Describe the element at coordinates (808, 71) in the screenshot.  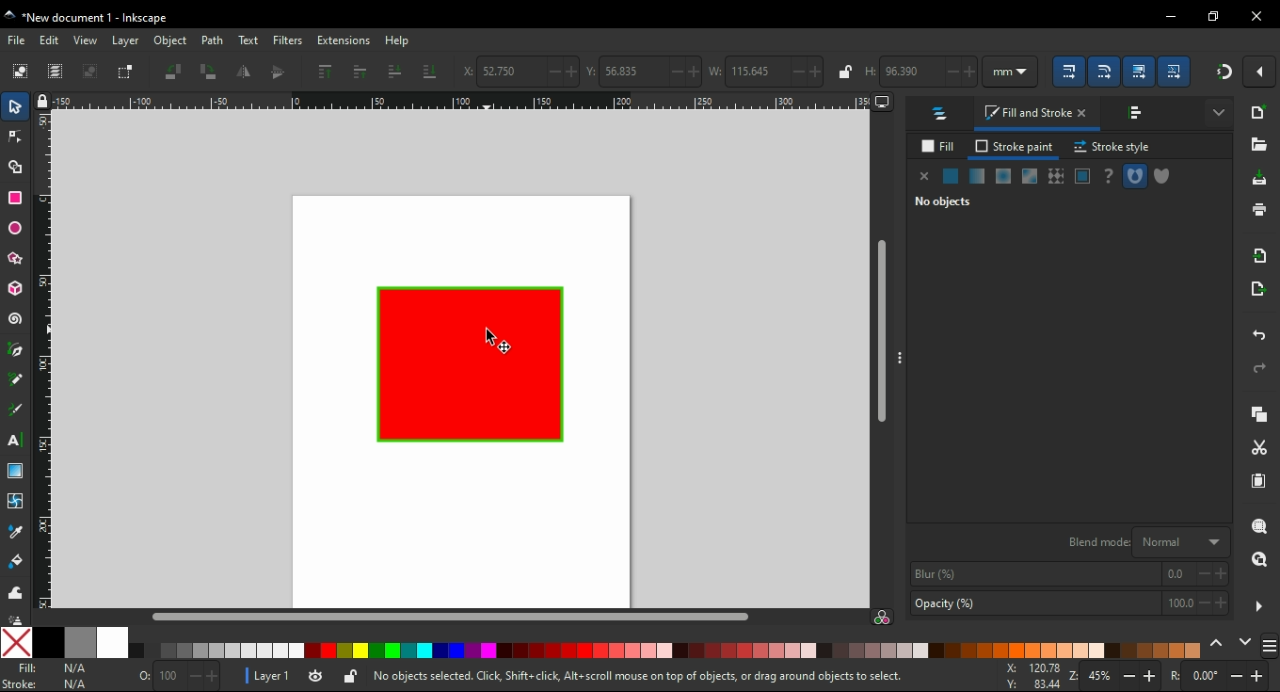
I see `increase/decrease` at that location.